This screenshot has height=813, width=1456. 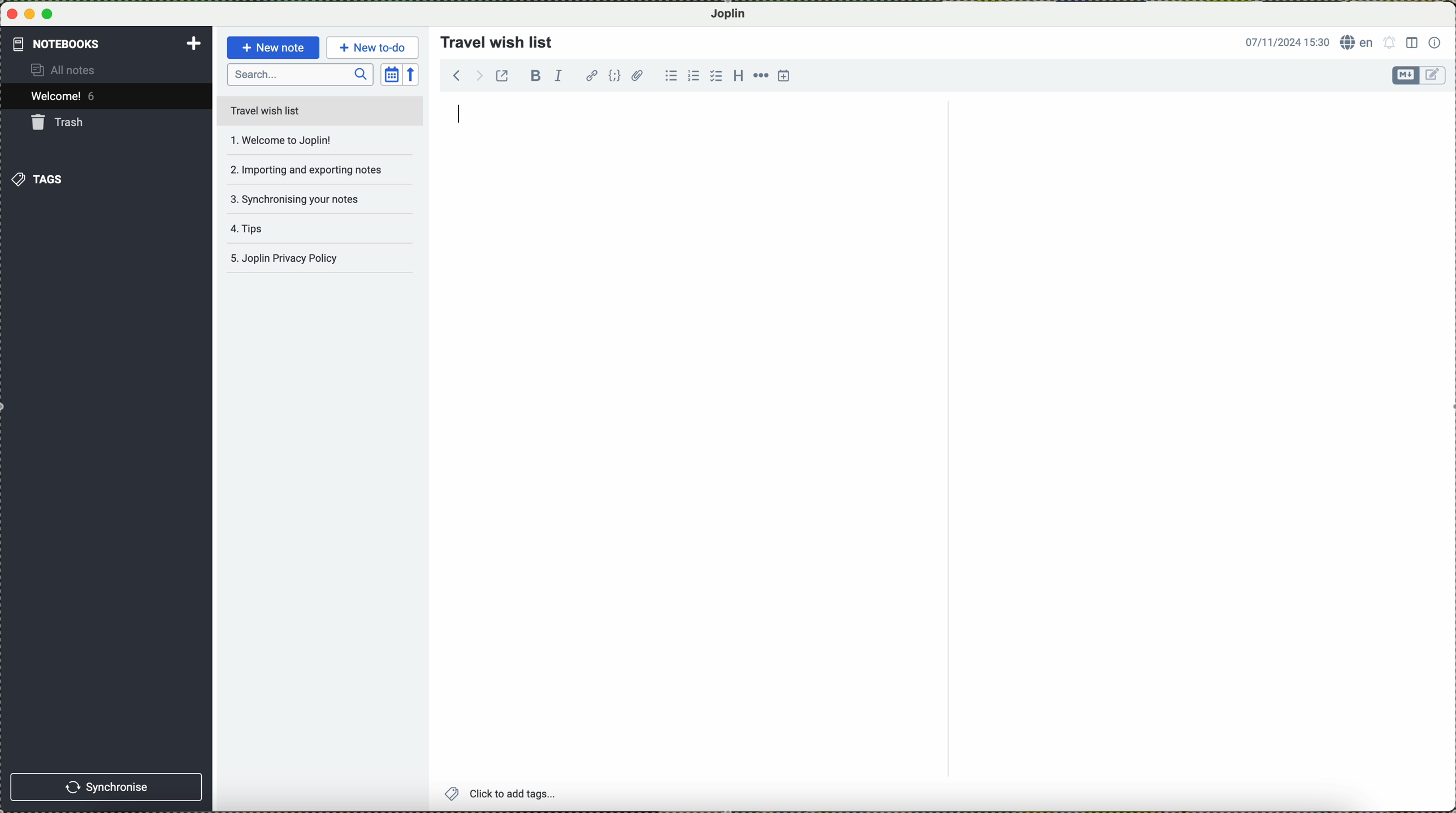 I want to click on date and hour, so click(x=1283, y=41).